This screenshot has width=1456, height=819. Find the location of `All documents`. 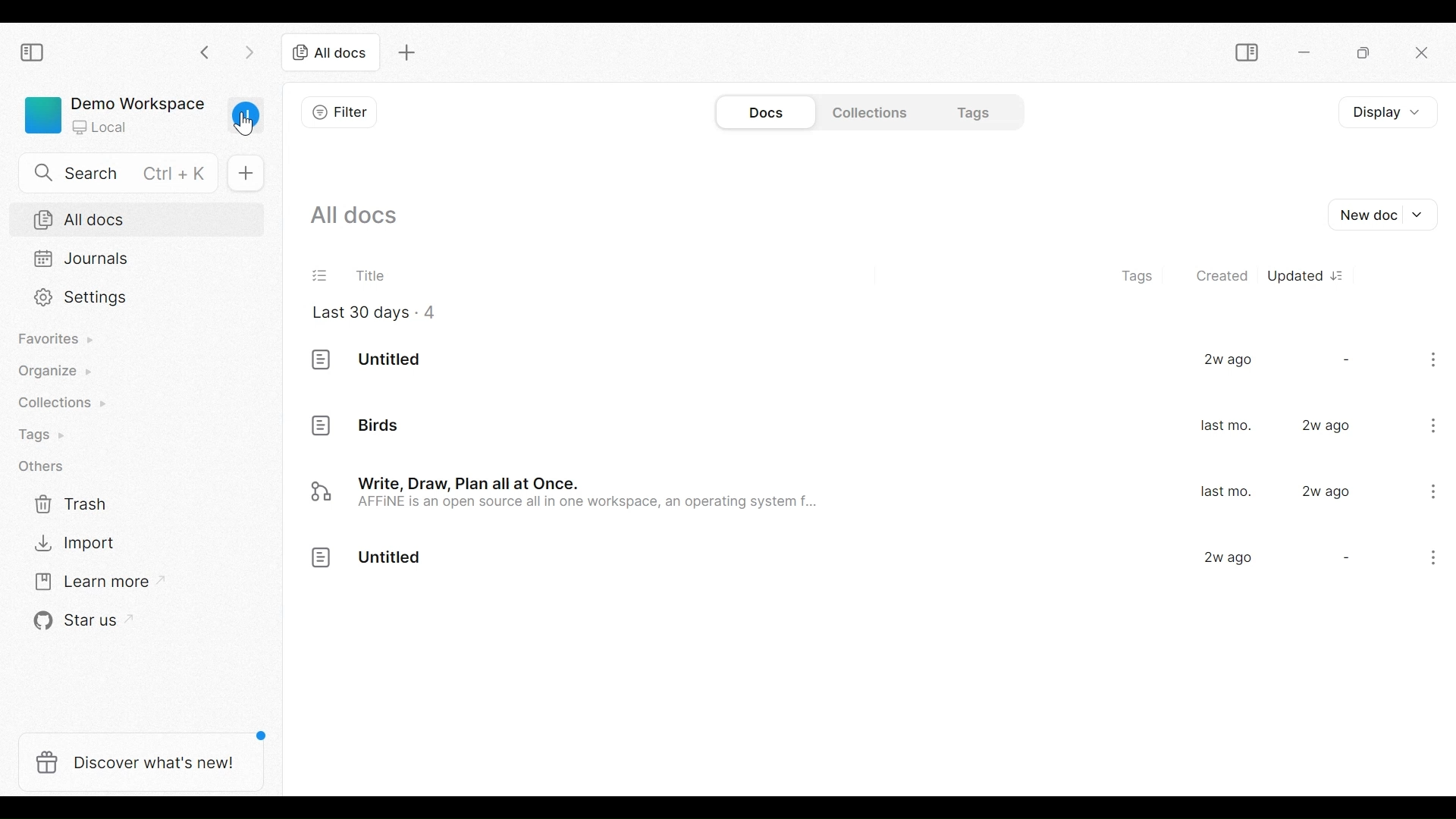

All documents is located at coordinates (331, 54).